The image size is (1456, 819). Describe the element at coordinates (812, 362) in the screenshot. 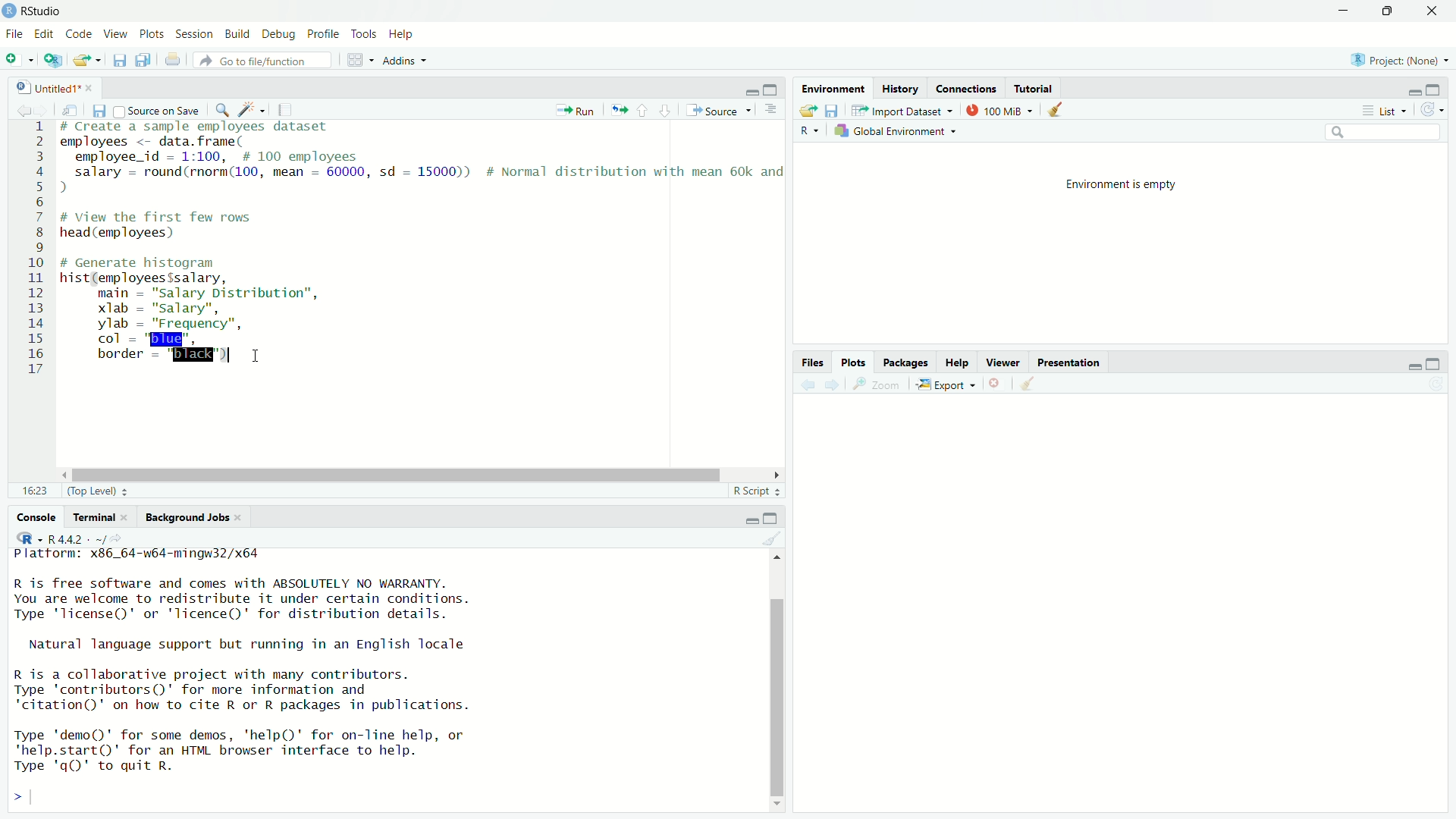

I see `Files` at that location.